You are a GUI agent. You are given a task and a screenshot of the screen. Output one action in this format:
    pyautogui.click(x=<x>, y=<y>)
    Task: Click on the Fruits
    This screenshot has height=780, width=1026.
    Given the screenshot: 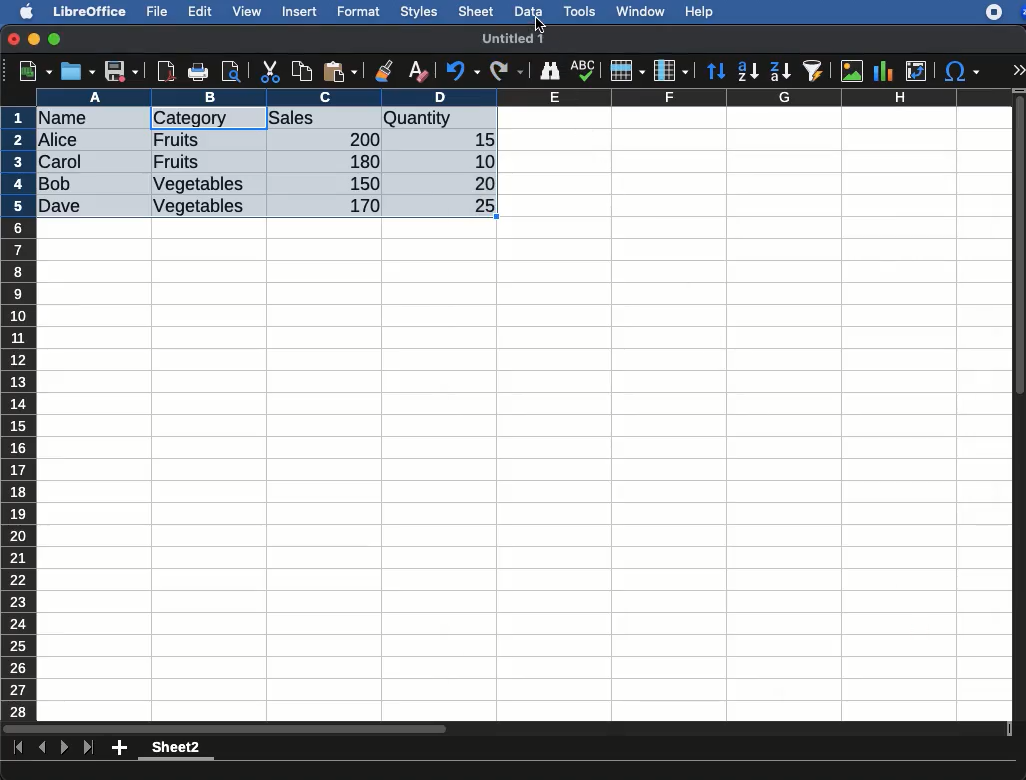 What is the action you would take?
    pyautogui.click(x=176, y=162)
    